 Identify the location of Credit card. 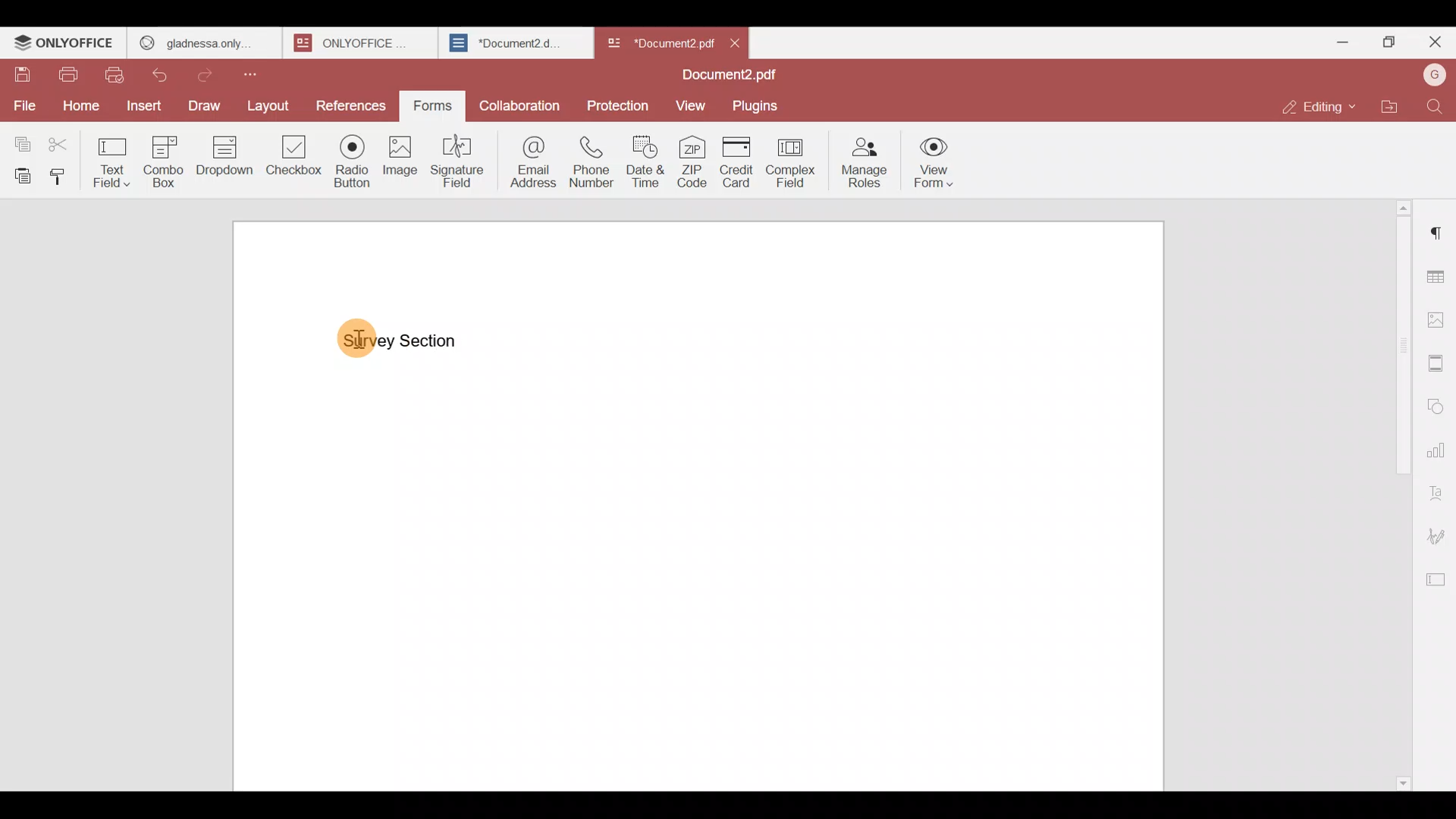
(739, 162).